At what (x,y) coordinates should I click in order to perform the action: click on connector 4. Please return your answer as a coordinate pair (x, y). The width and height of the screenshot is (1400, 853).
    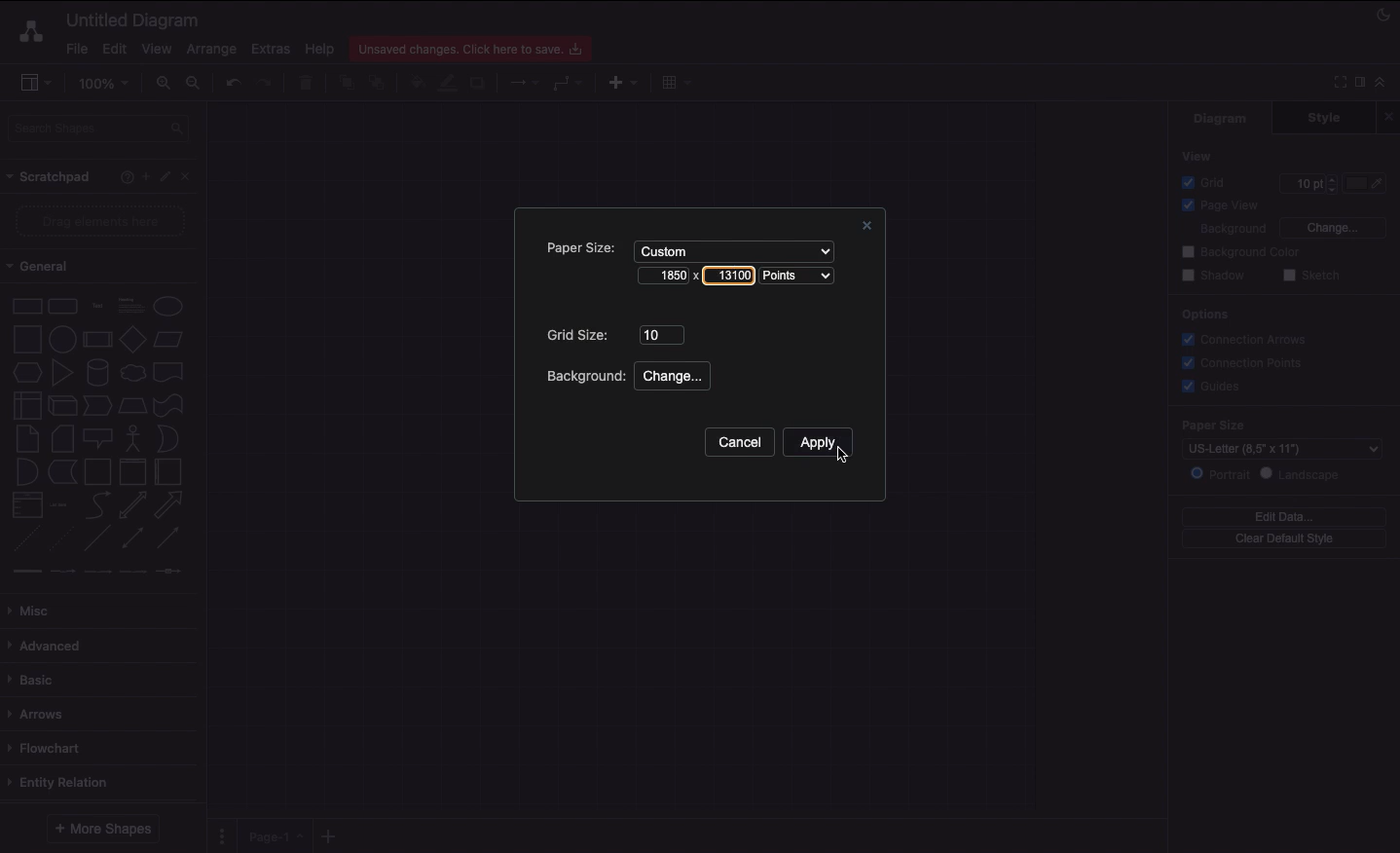
    Looking at the image, I should click on (134, 570).